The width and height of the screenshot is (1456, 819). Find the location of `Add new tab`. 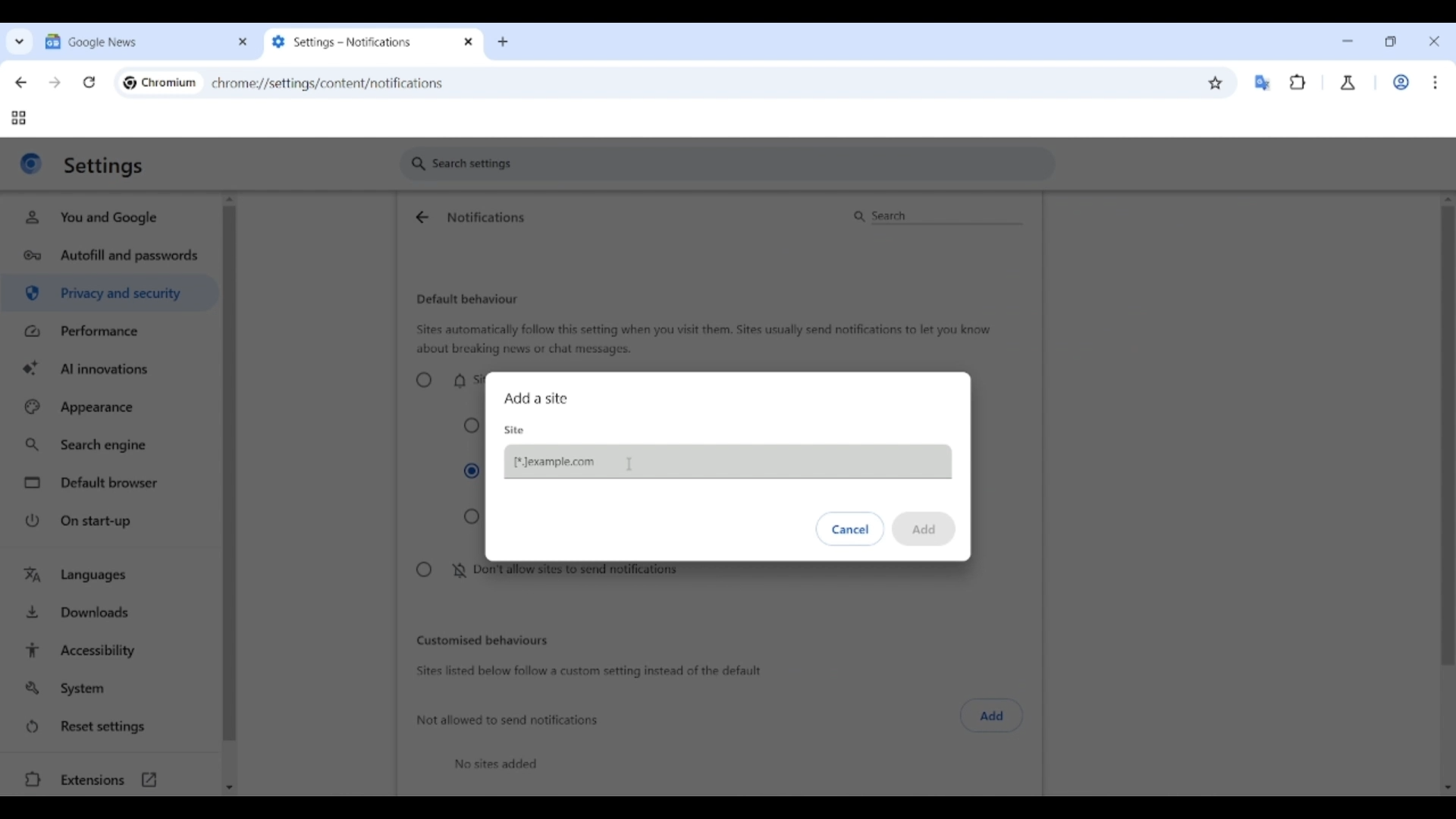

Add new tab is located at coordinates (503, 42).